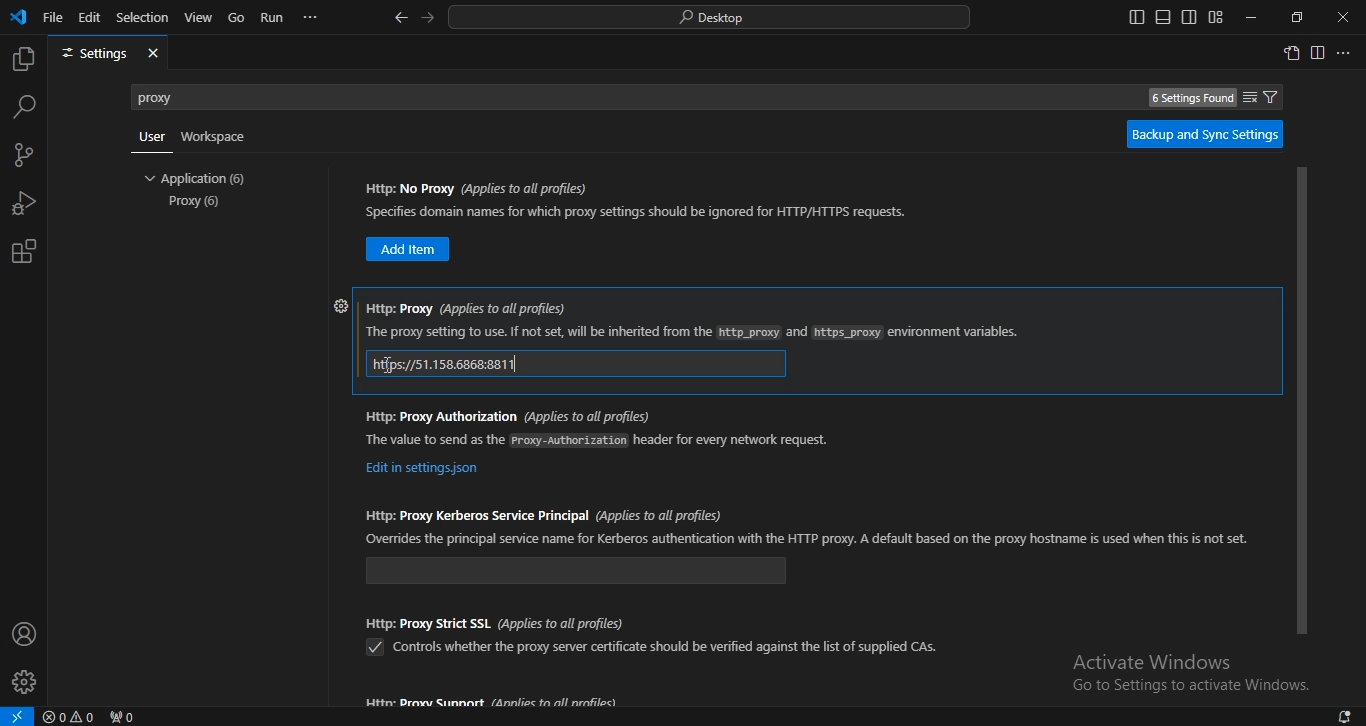 This screenshot has height=726, width=1366. I want to click on search, so click(23, 108).